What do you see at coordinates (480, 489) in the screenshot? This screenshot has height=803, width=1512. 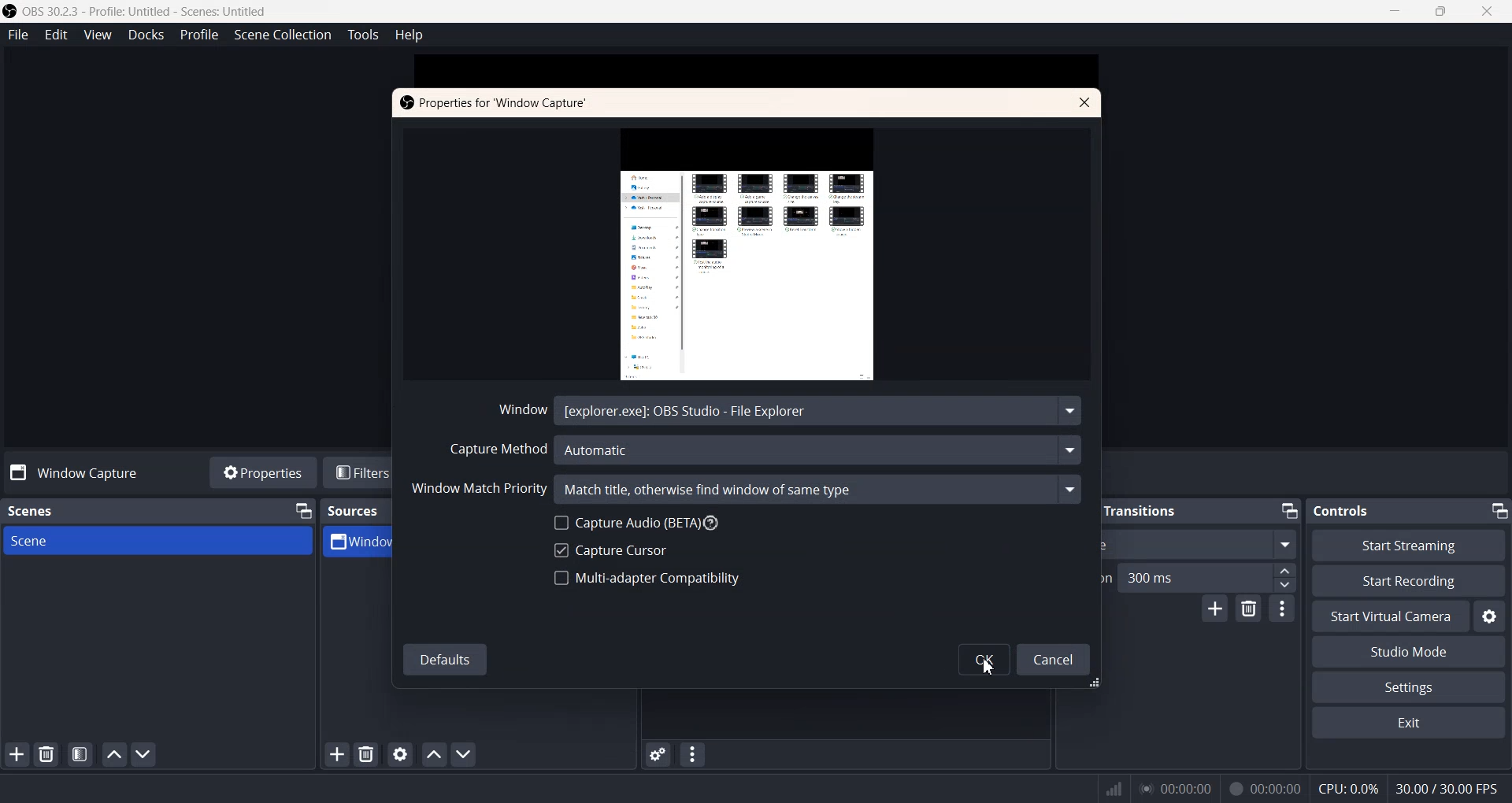 I see `Window Match Priority` at bounding box center [480, 489].